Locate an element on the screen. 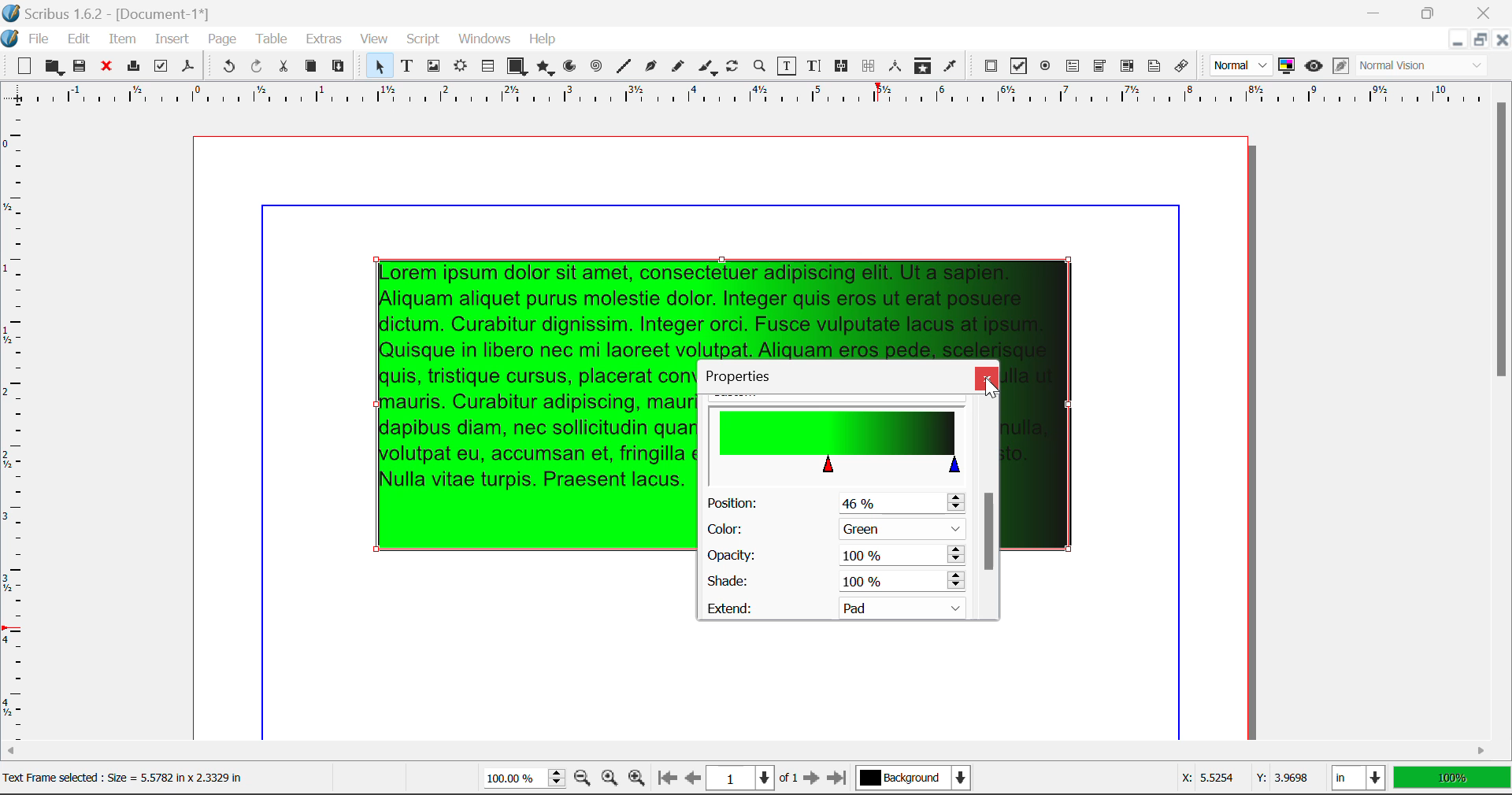  Link Frames is located at coordinates (844, 66).